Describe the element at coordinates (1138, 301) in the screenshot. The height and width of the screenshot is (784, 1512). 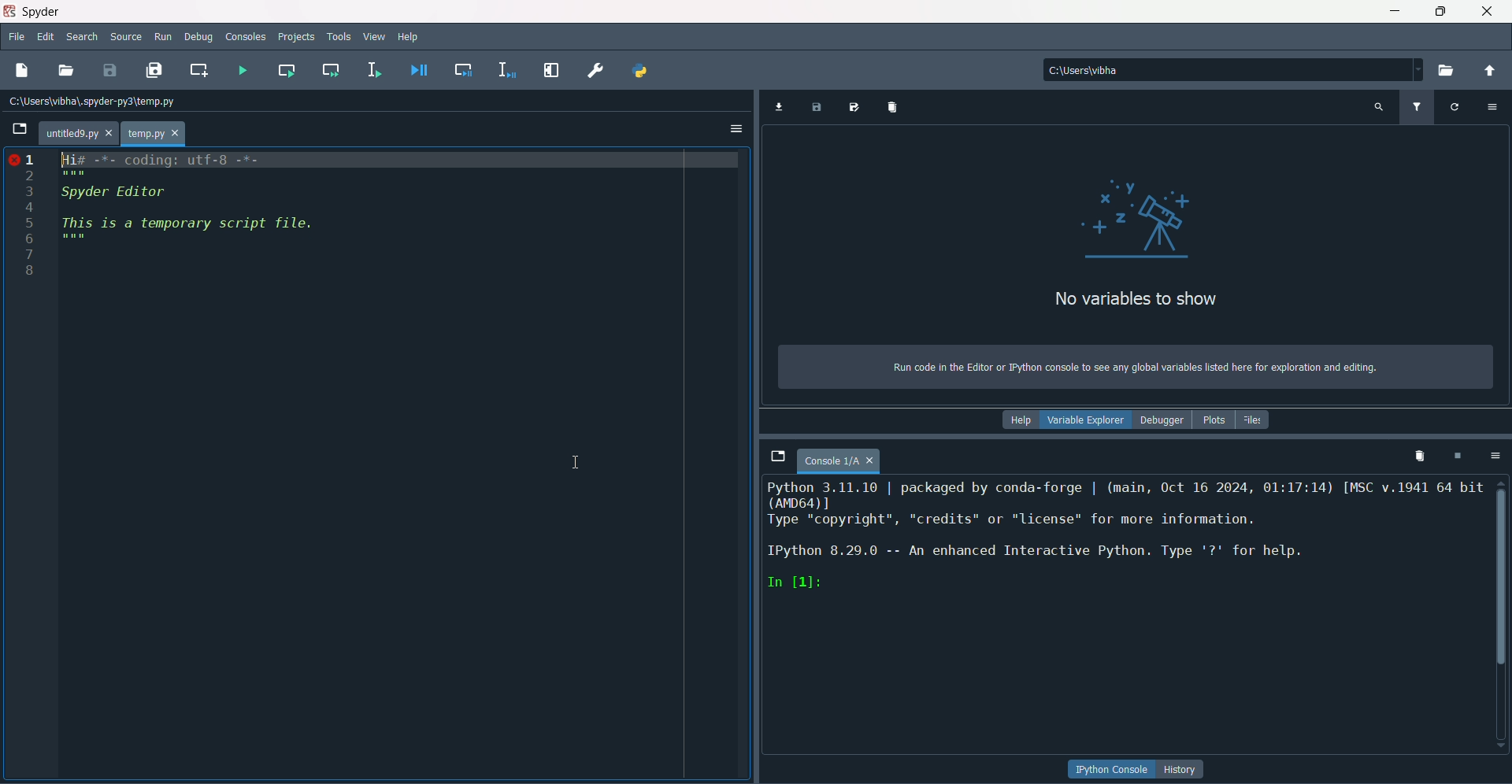
I see `text` at that location.